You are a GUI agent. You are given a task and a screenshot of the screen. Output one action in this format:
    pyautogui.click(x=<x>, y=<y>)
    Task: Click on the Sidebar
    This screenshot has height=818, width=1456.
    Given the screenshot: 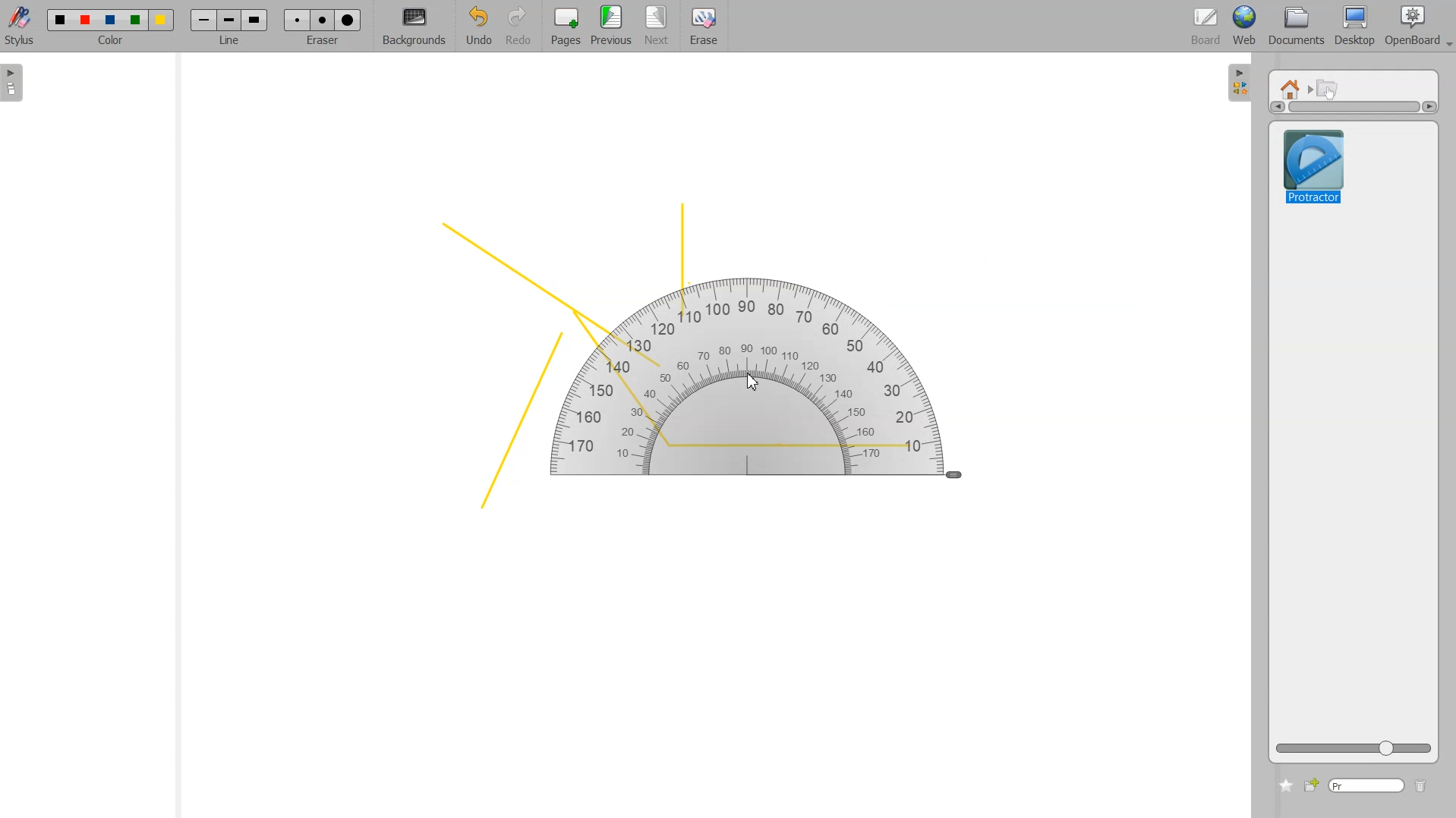 What is the action you would take?
    pyautogui.click(x=17, y=83)
    